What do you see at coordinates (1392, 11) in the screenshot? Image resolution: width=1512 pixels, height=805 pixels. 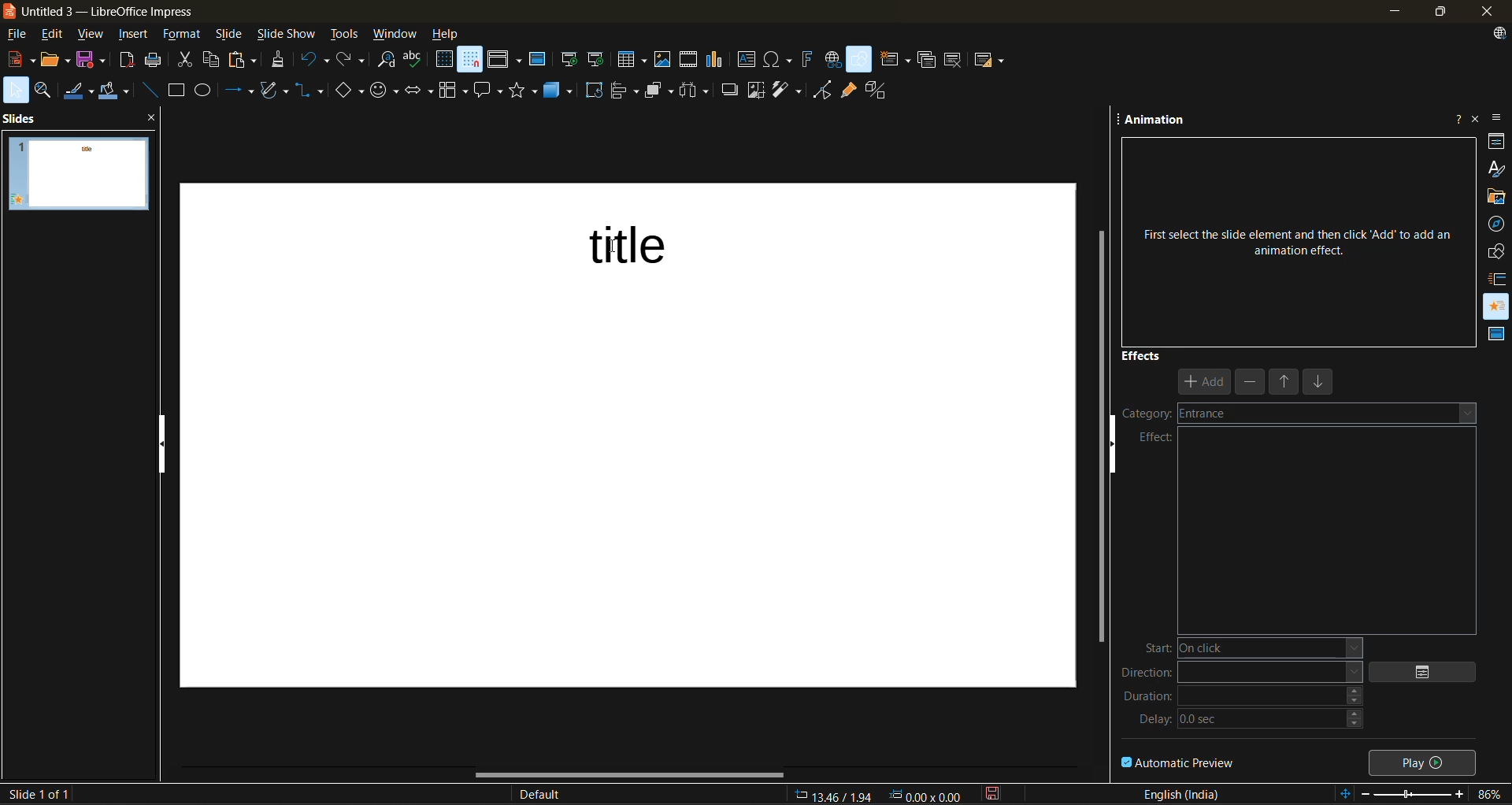 I see `minimize` at bounding box center [1392, 11].